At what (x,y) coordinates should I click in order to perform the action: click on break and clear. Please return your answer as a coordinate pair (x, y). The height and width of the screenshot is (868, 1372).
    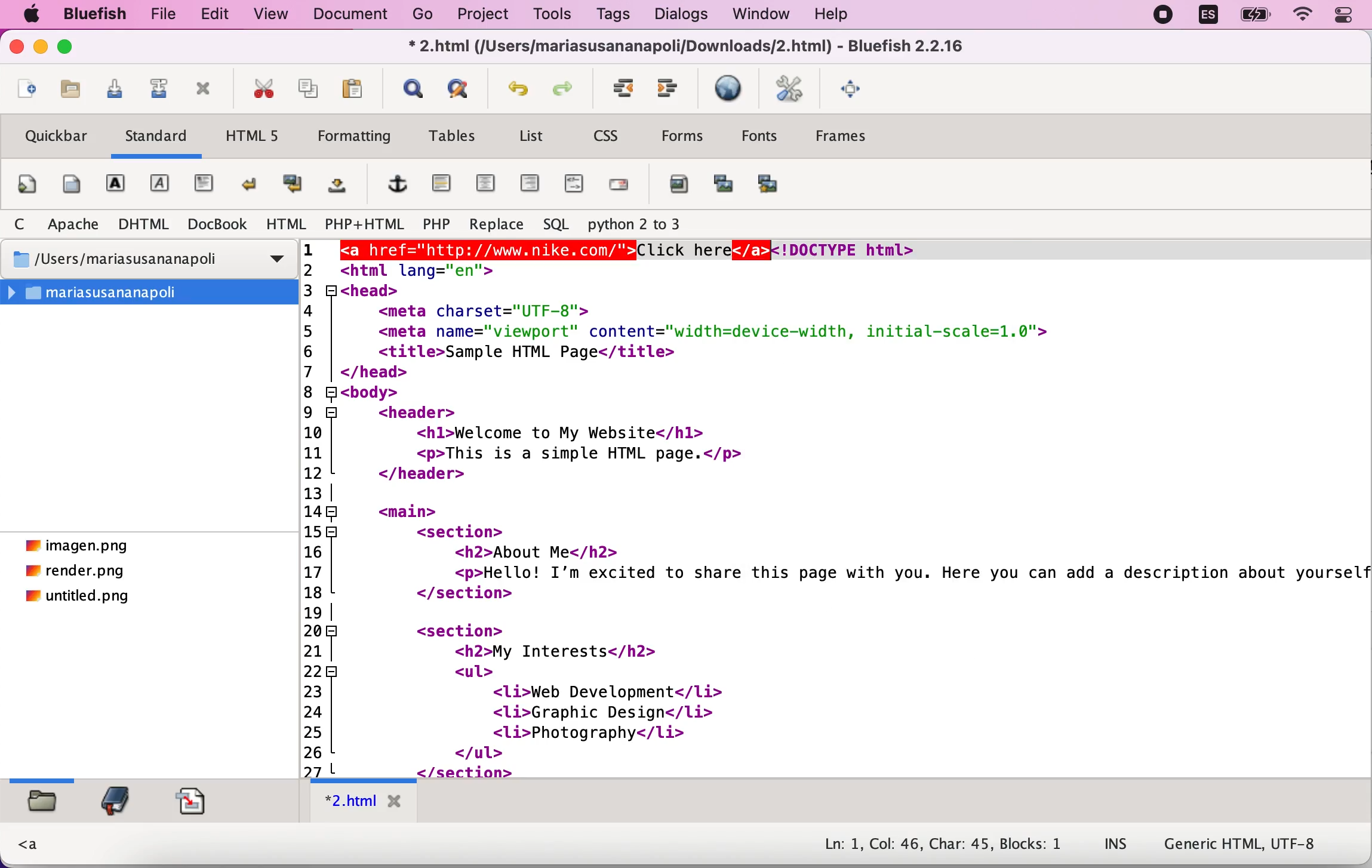
    Looking at the image, I should click on (291, 186).